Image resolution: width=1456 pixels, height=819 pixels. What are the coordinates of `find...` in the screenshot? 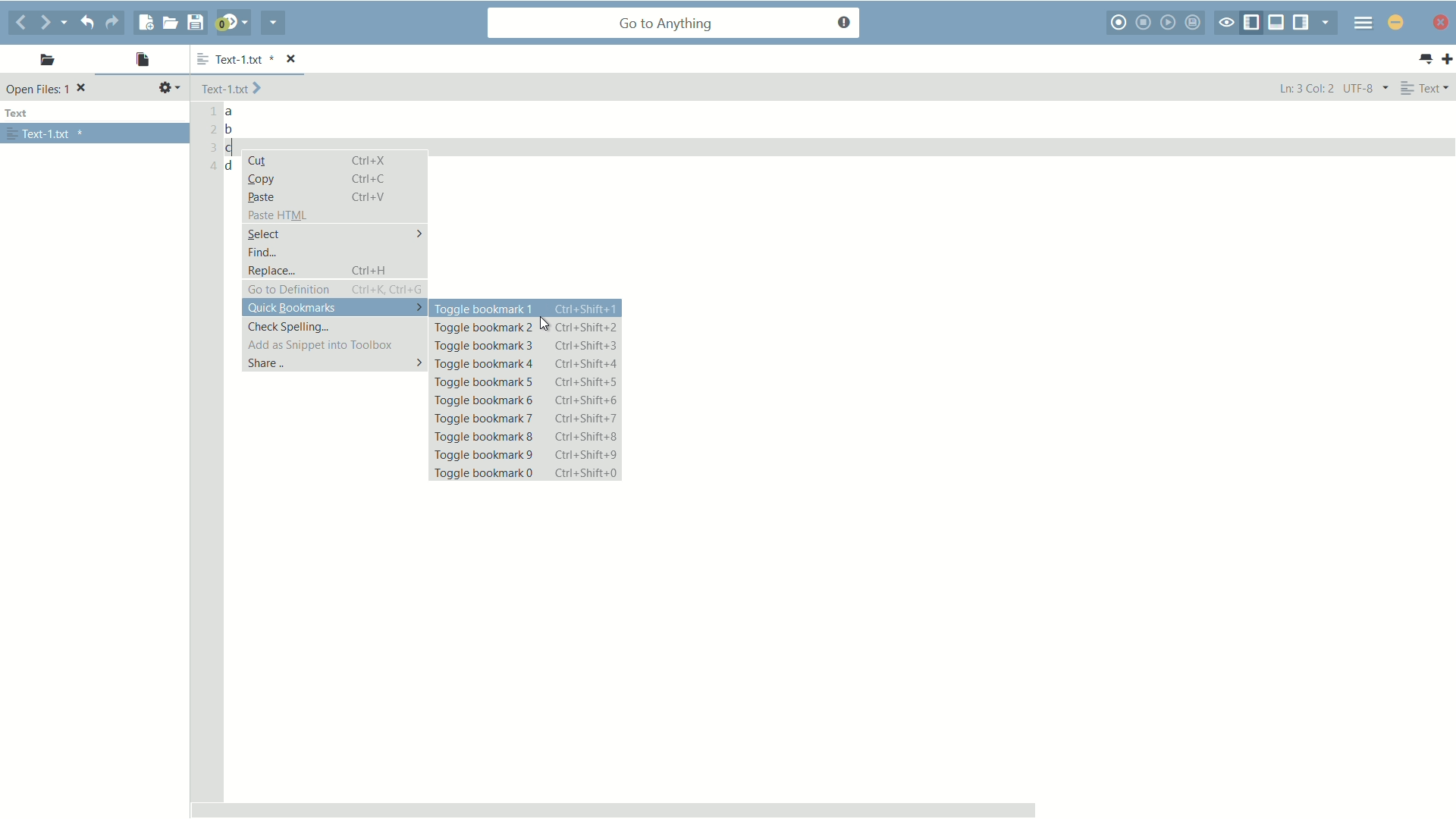 It's located at (262, 253).